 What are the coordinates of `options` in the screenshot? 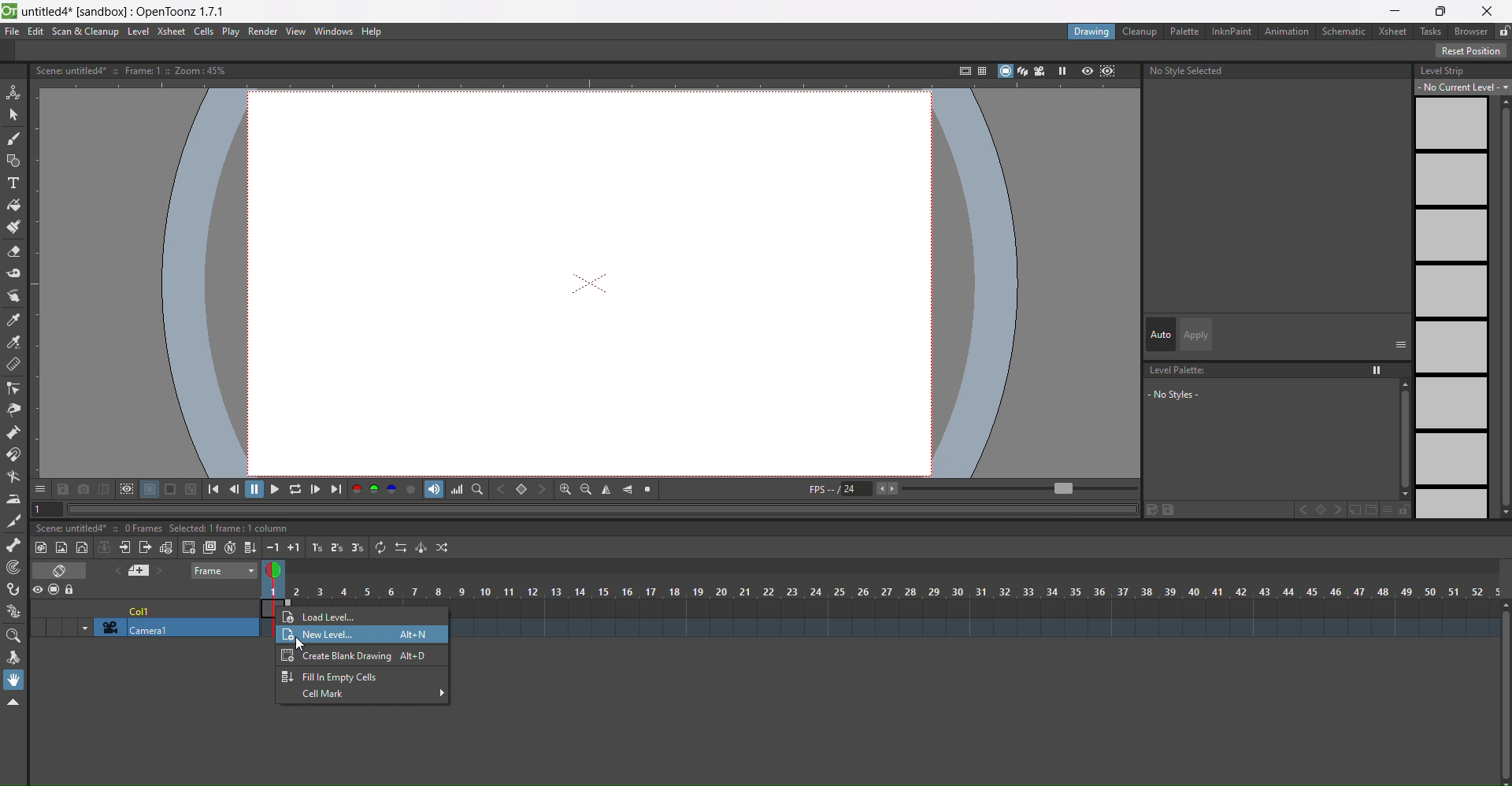 It's located at (1401, 343).